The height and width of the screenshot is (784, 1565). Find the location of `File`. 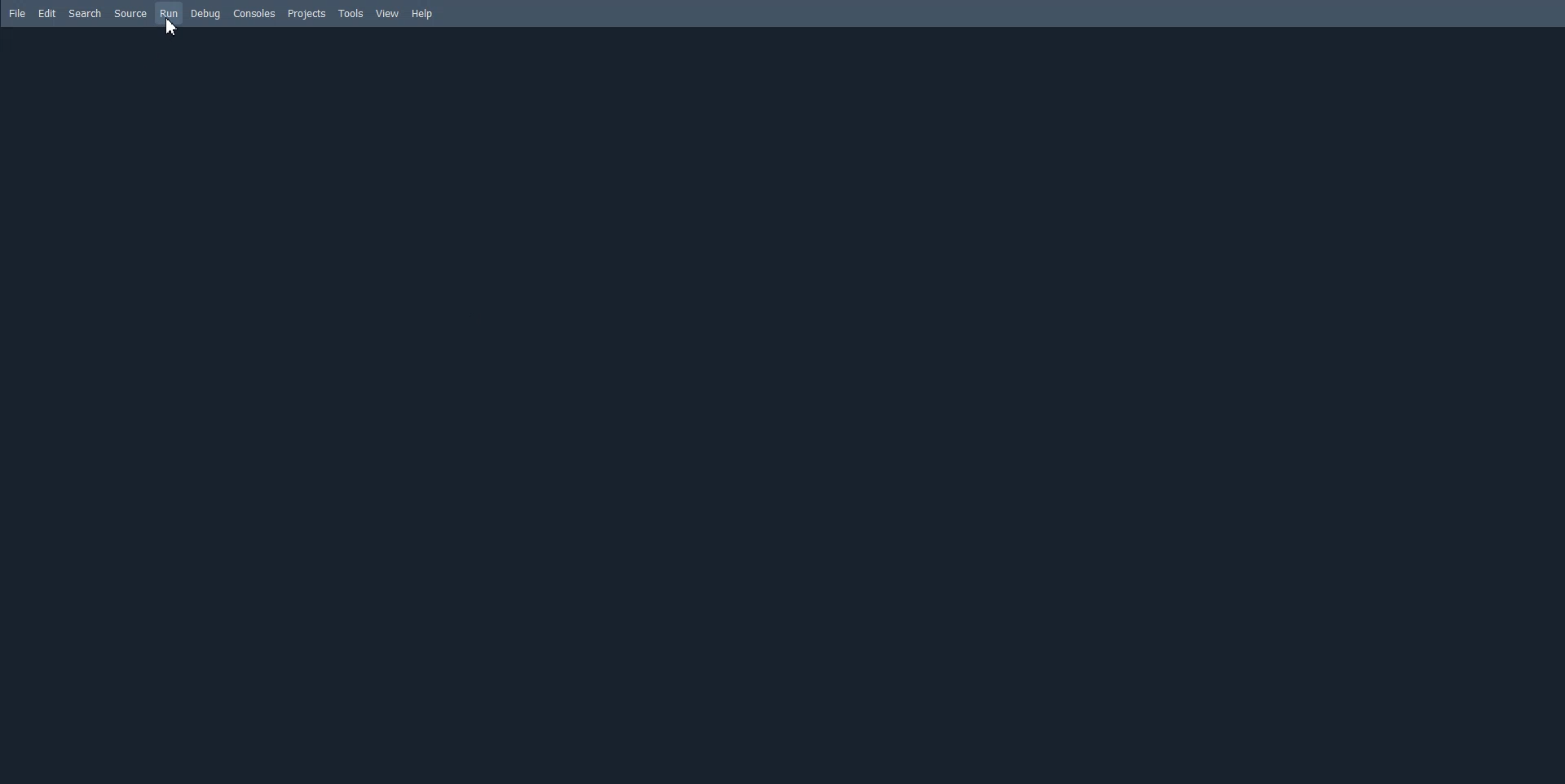

File is located at coordinates (19, 14).